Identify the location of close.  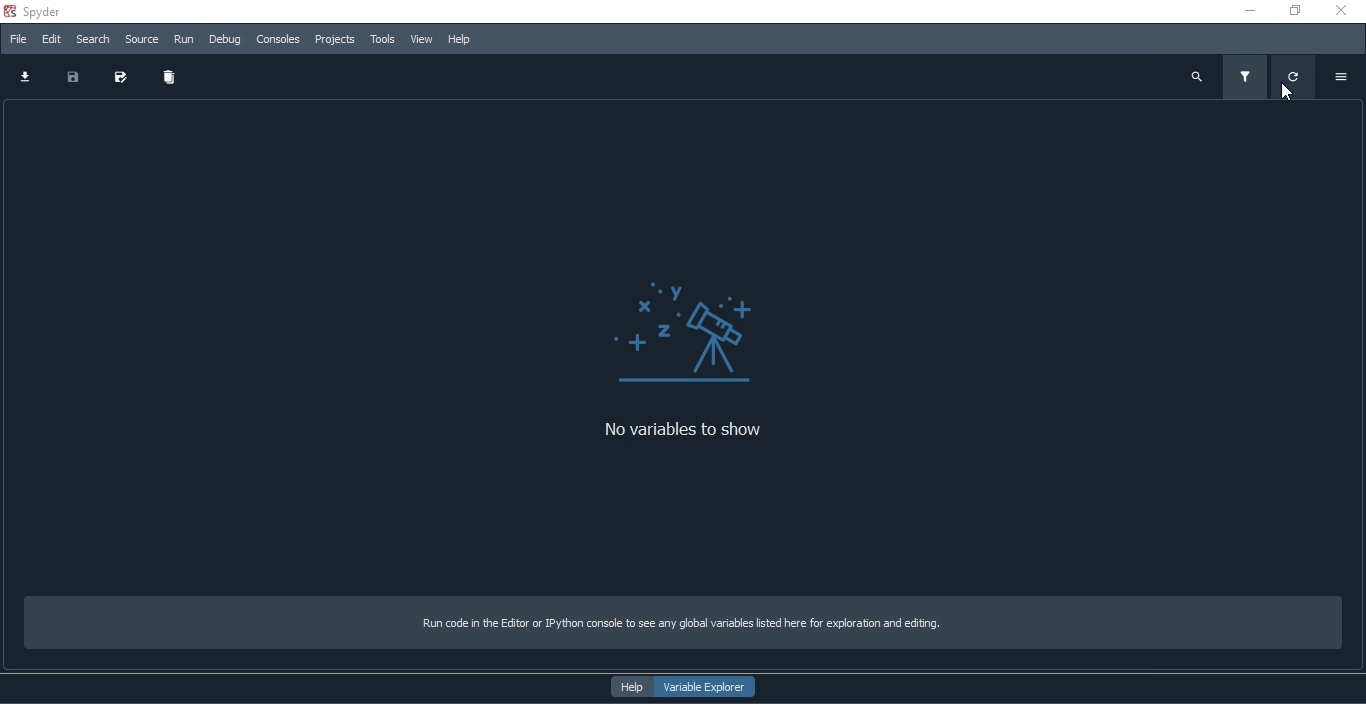
(1340, 11).